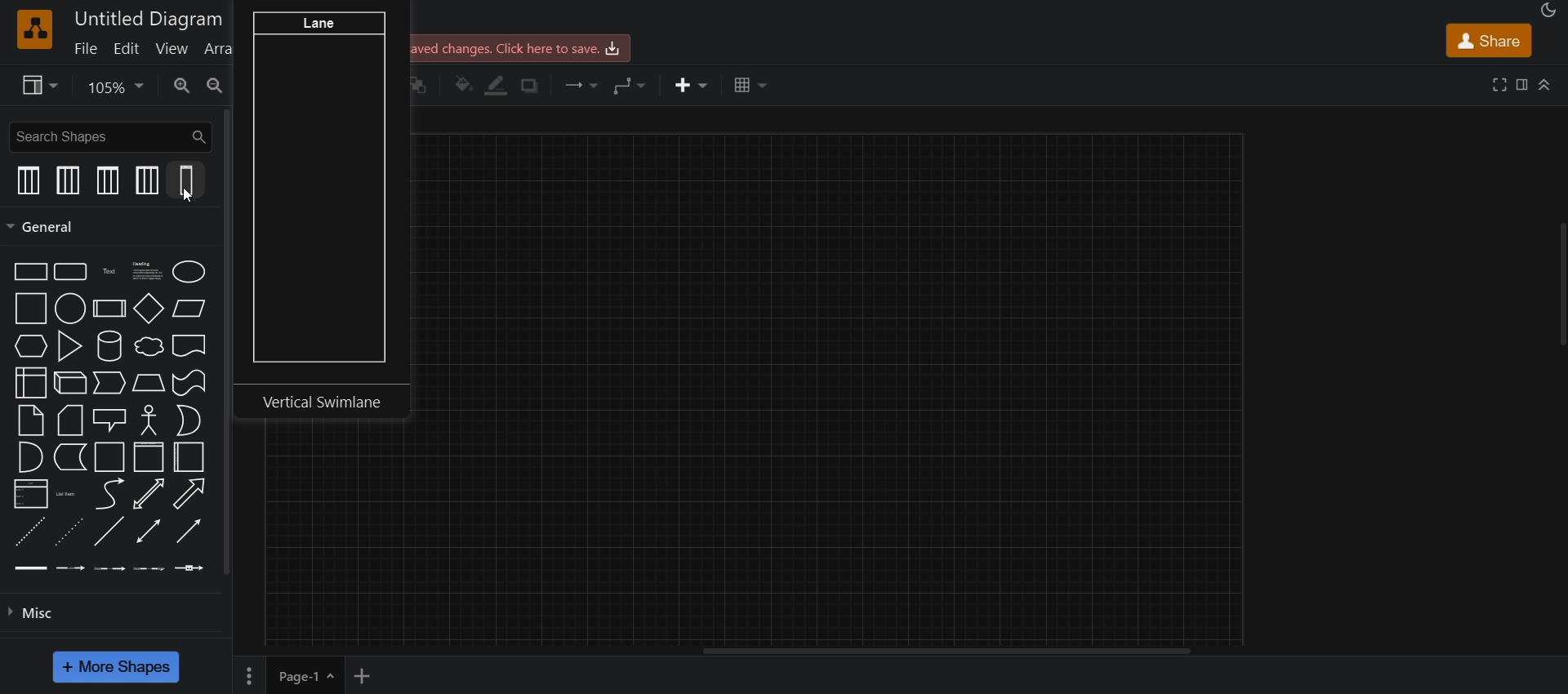 This screenshot has height=694, width=1568. I want to click on arrow, so click(189, 494).